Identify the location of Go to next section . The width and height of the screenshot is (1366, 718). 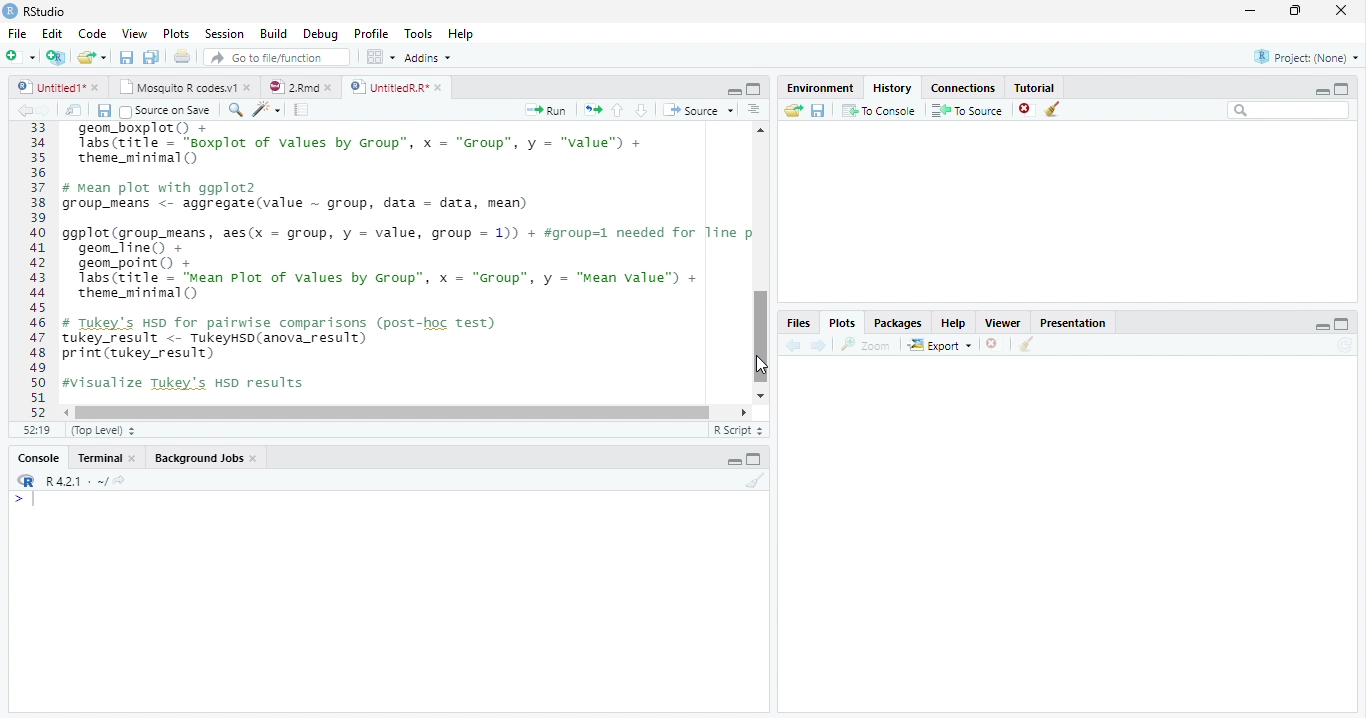
(642, 111).